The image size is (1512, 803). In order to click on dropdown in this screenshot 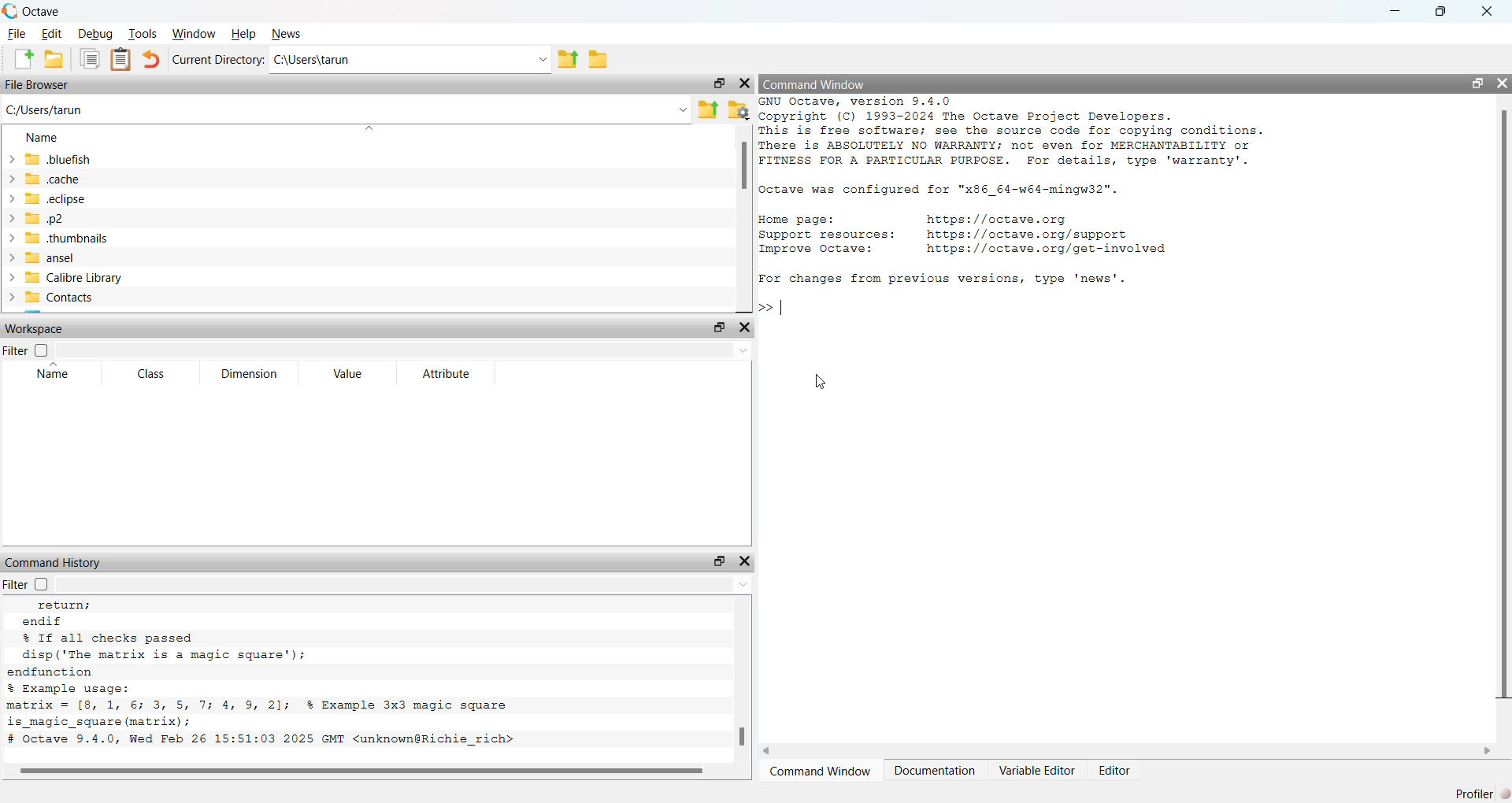, I will do `click(743, 351)`.